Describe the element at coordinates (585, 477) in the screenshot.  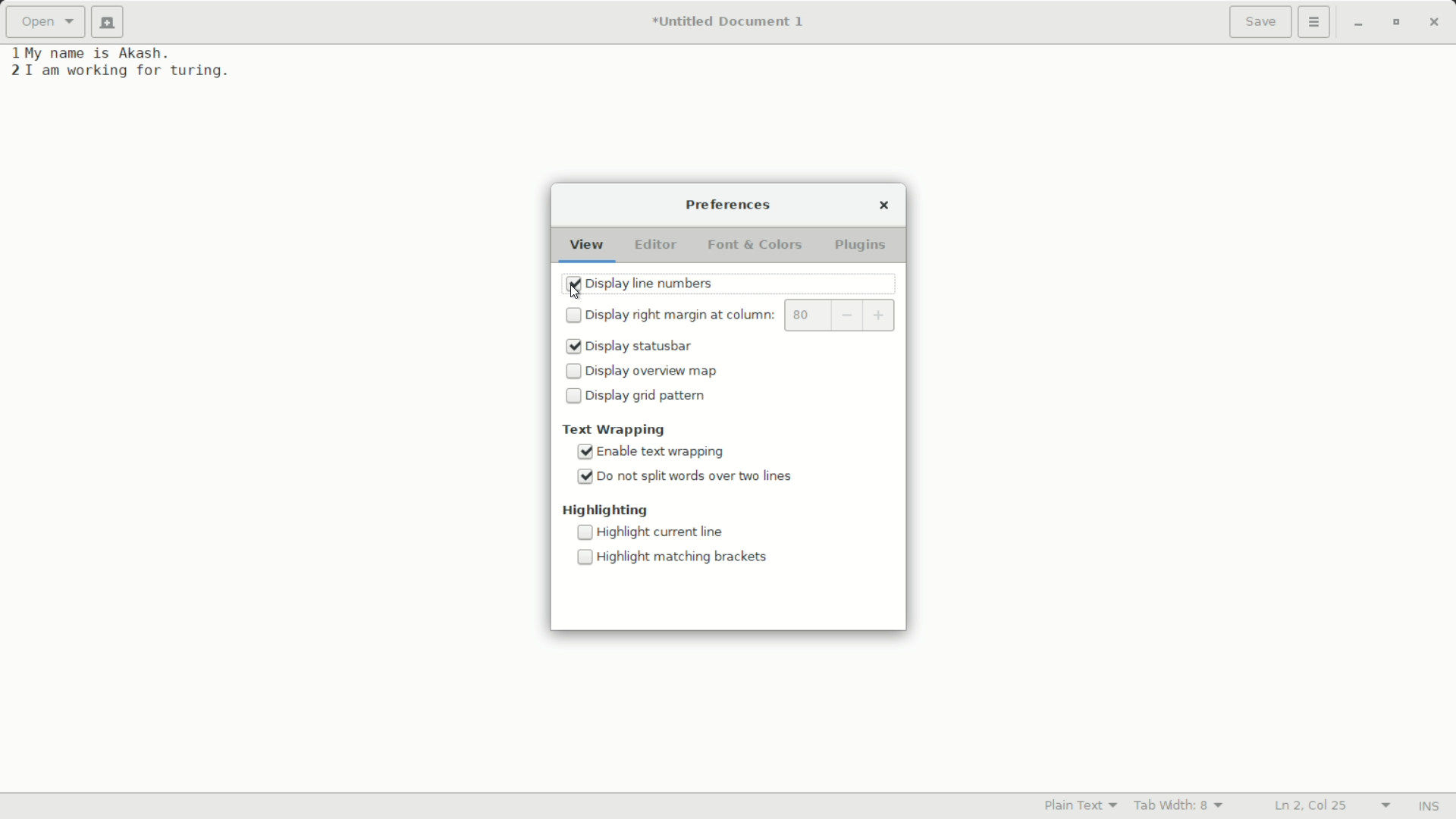
I see `checked checkbox` at that location.